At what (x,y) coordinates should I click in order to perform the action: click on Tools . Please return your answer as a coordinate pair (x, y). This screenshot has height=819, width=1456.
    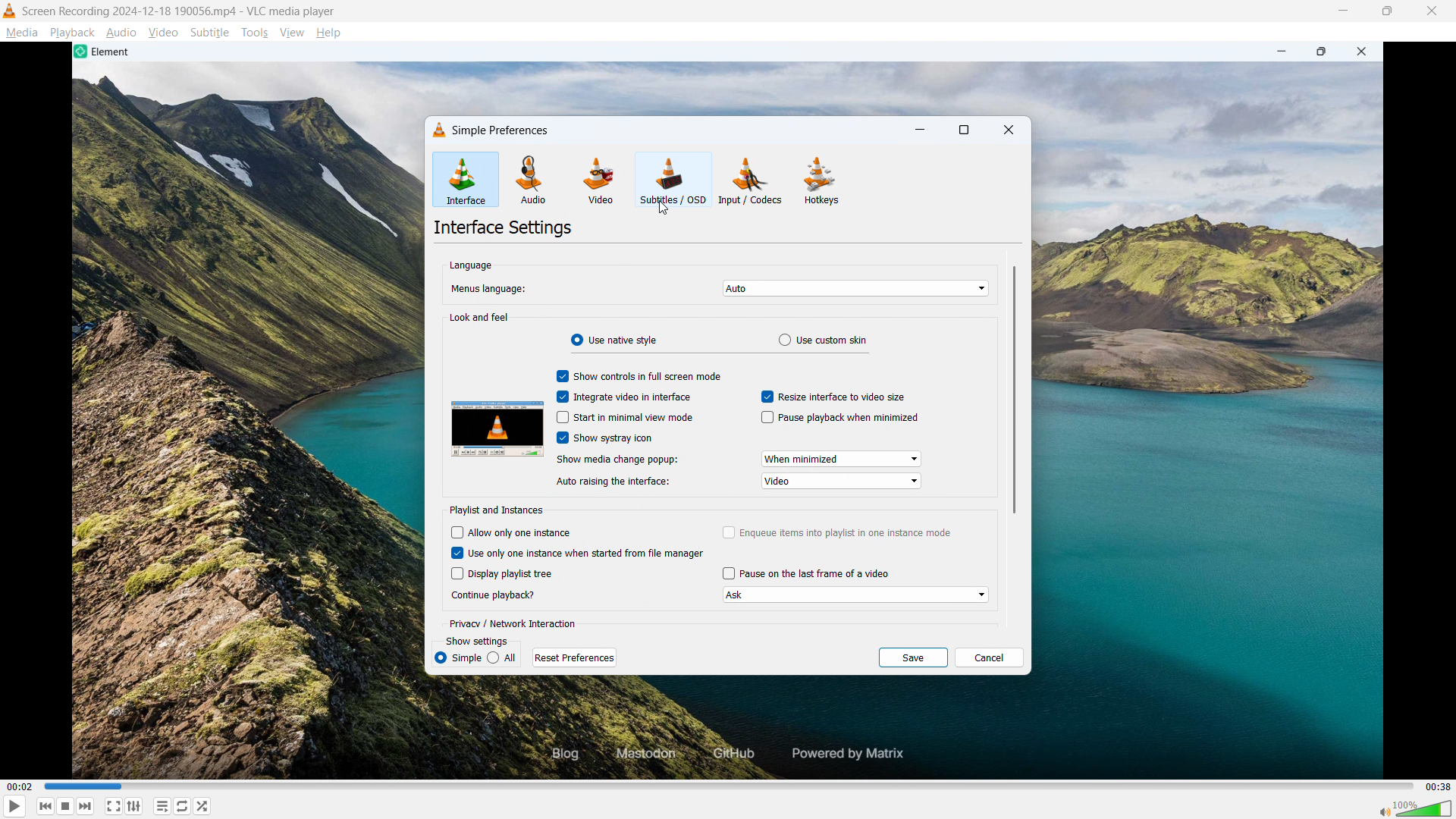
    Looking at the image, I should click on (256, 33).